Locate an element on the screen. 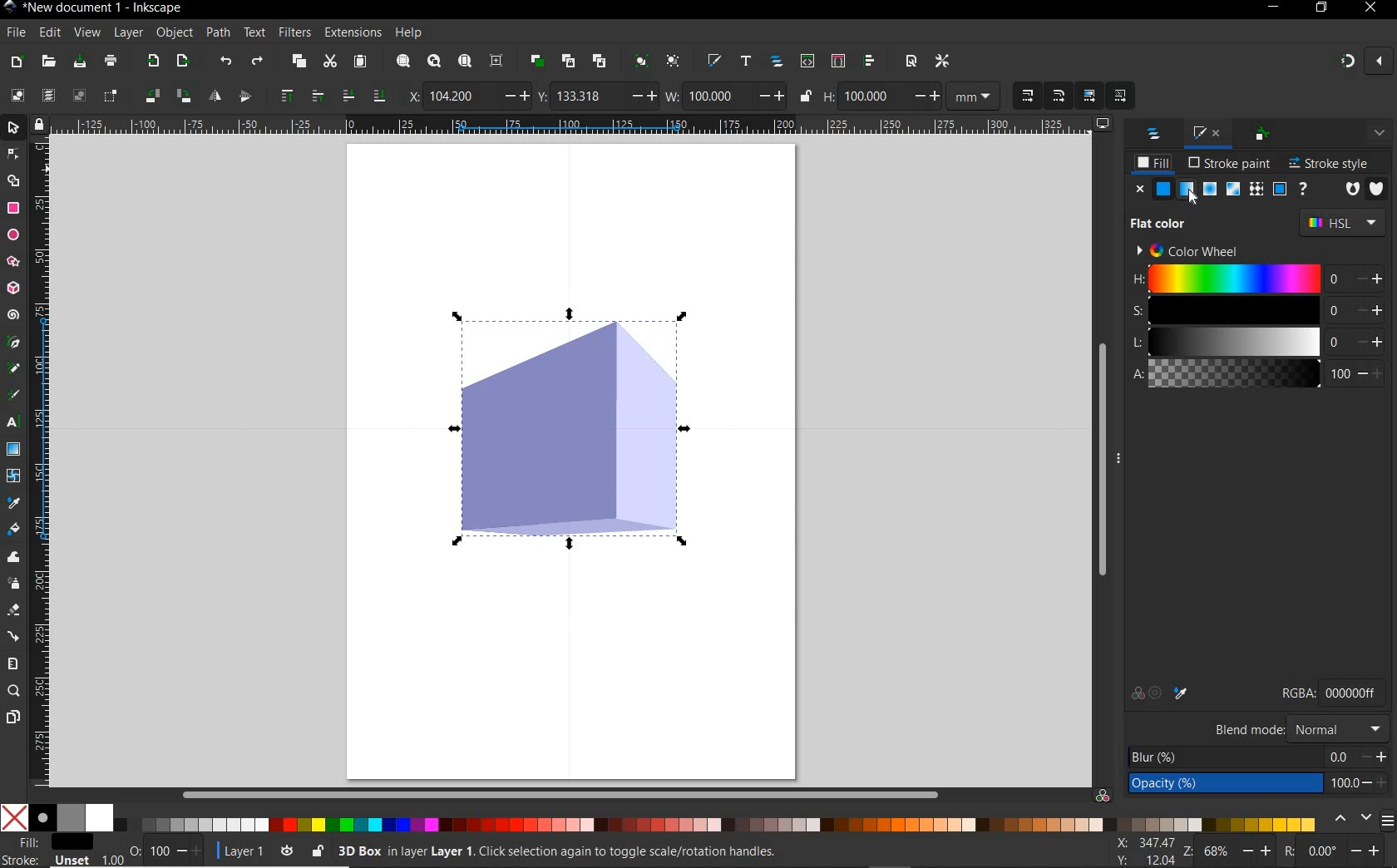  RGBA: is located at coordinates (1296, 692).